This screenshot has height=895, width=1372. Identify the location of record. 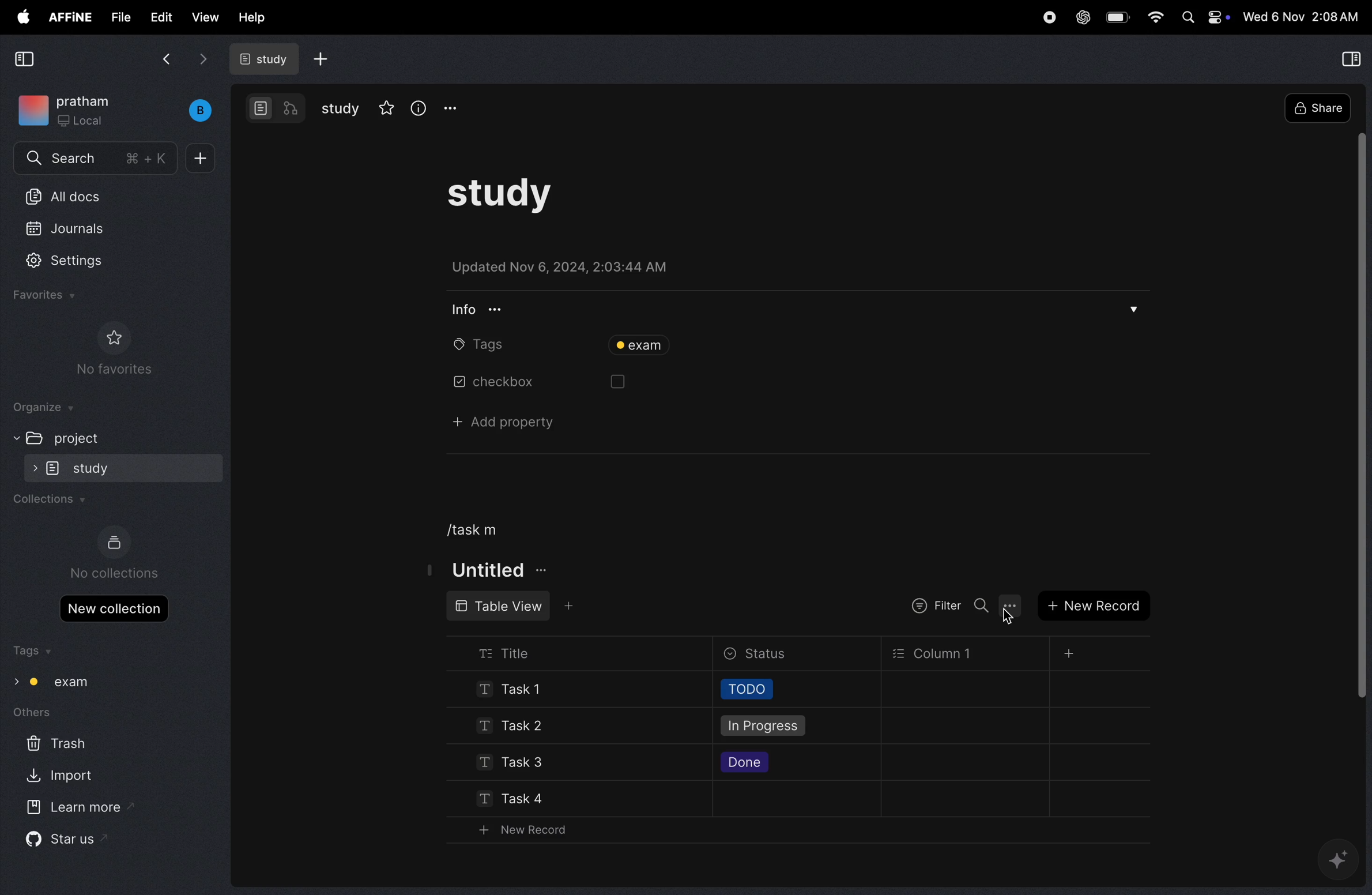
(1046, 17).